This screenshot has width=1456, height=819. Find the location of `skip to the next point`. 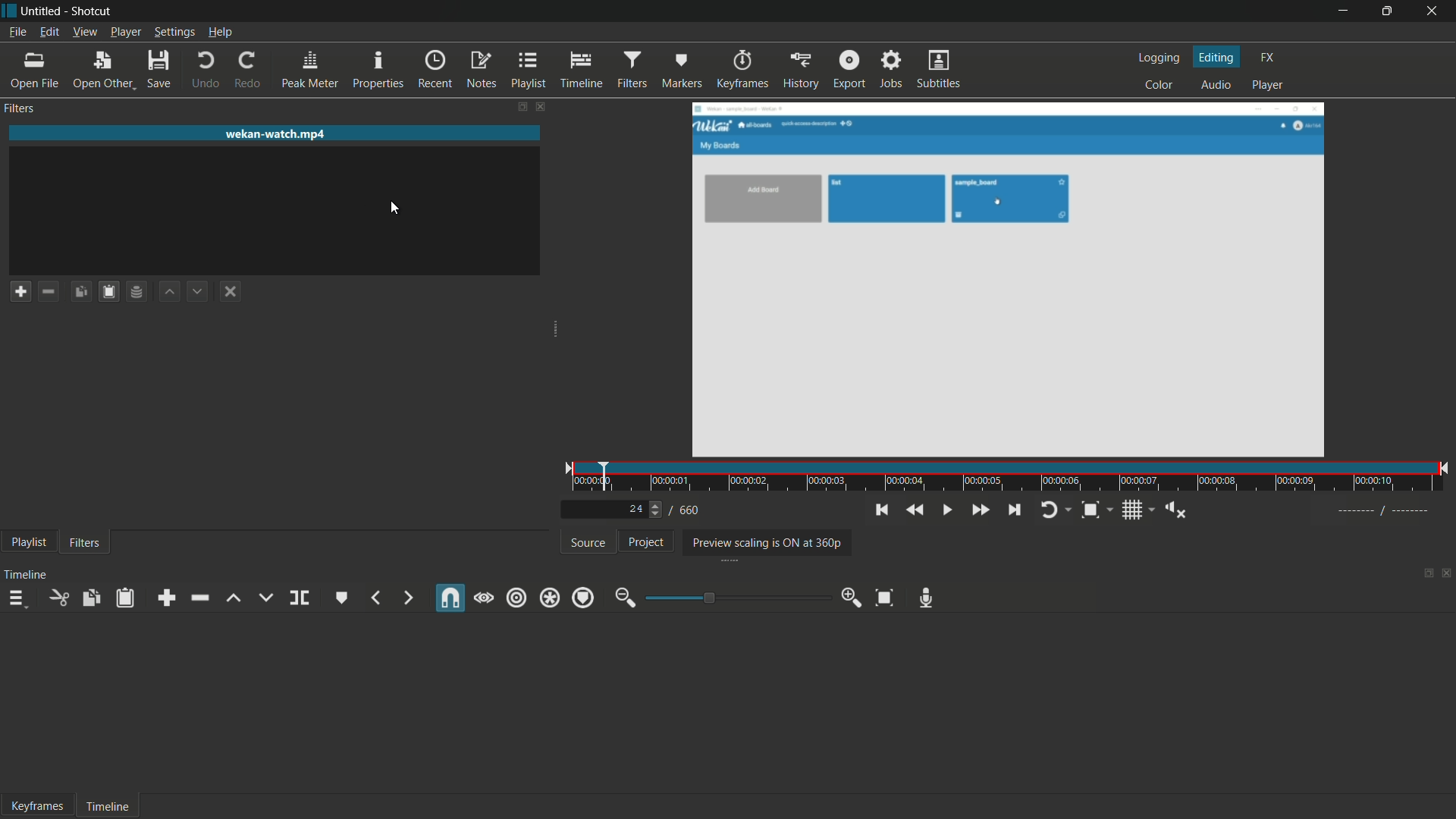

skip to the next point is located at coordinates (1016, 510).